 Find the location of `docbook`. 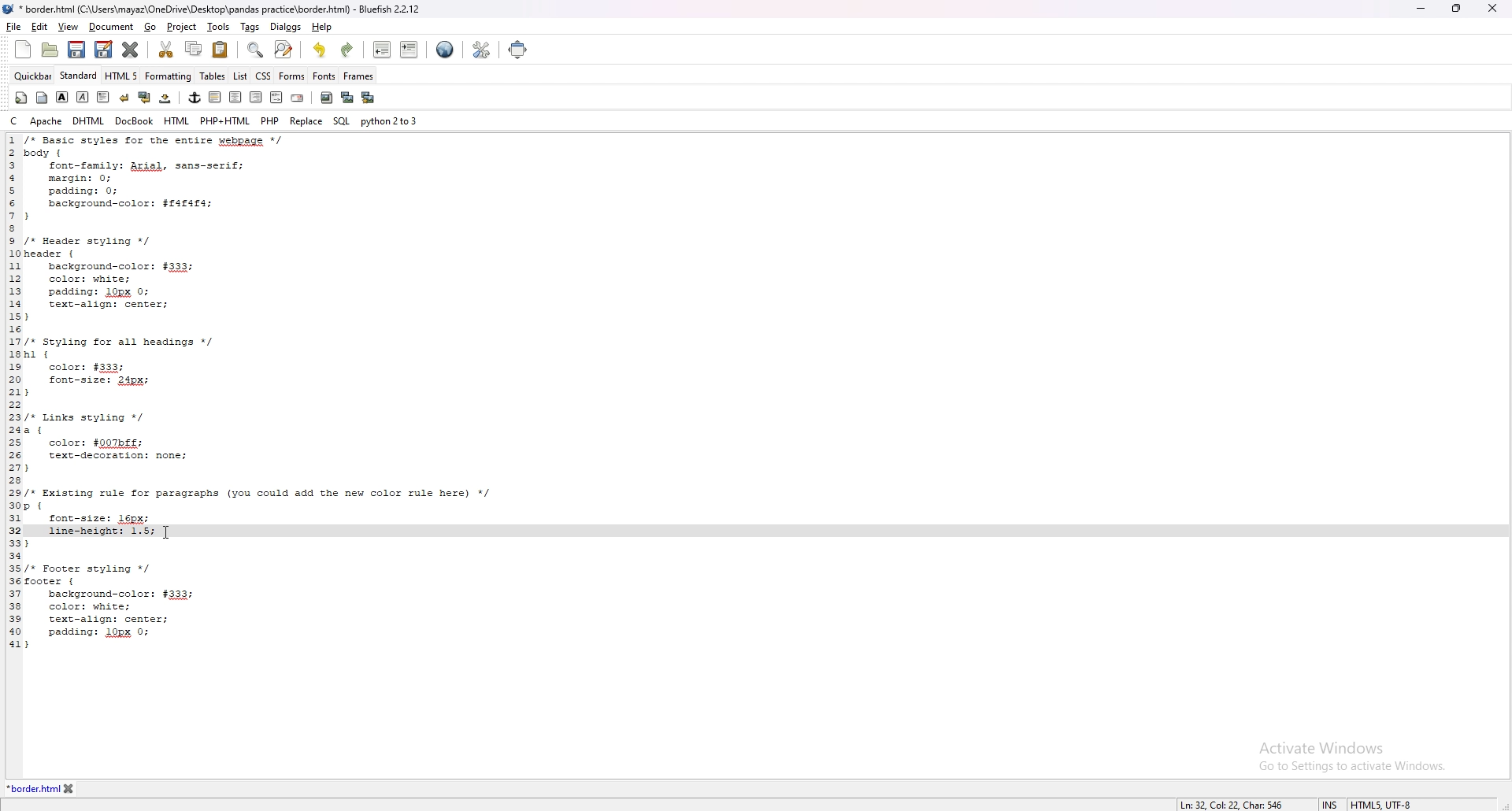

docbook is located at coordinates (135, 120).